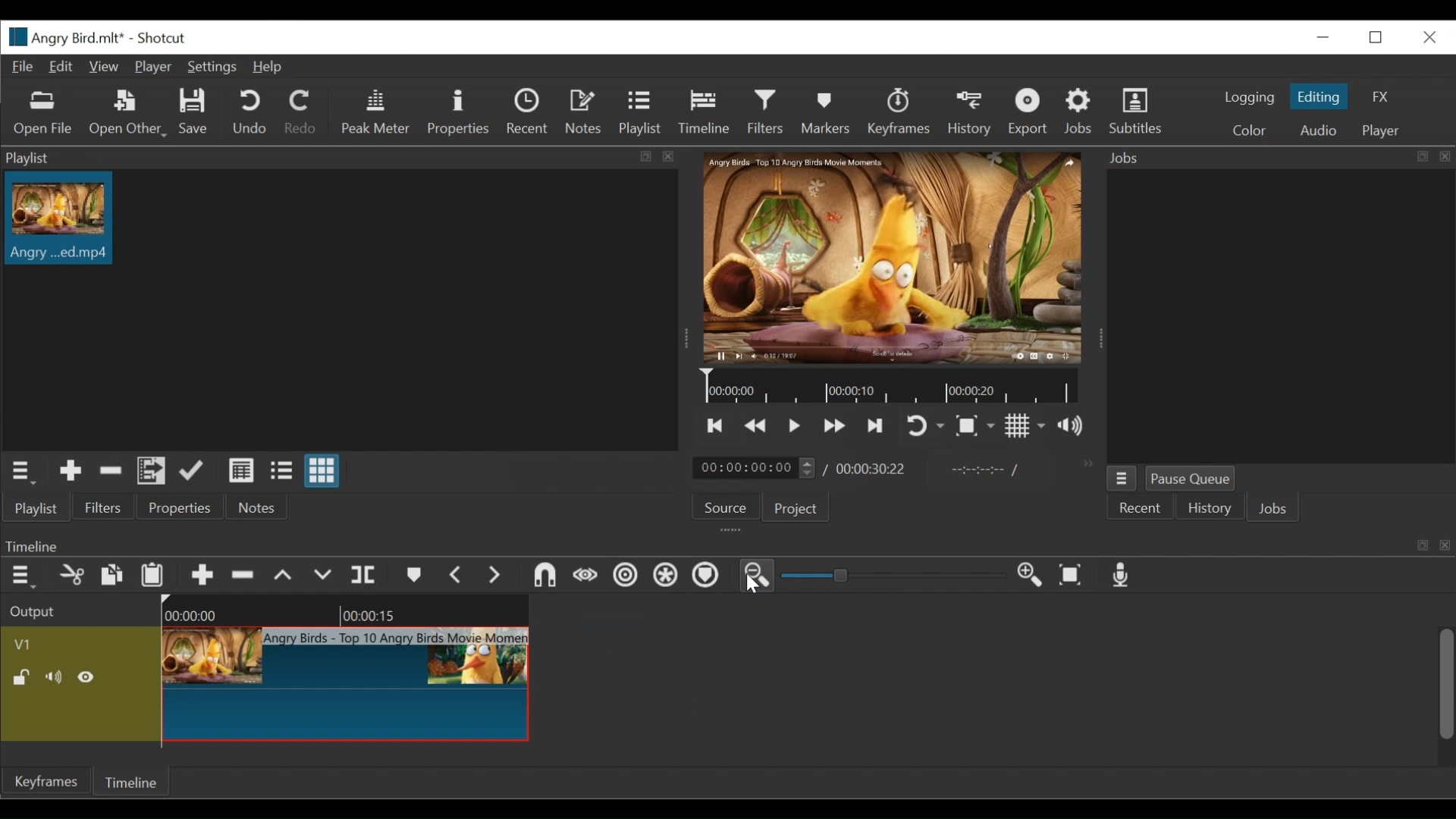 This screenshot has height=819, width=1456. Describe the element at coordinates (765, 111) in the screenshot. I see `Filter` at that location.